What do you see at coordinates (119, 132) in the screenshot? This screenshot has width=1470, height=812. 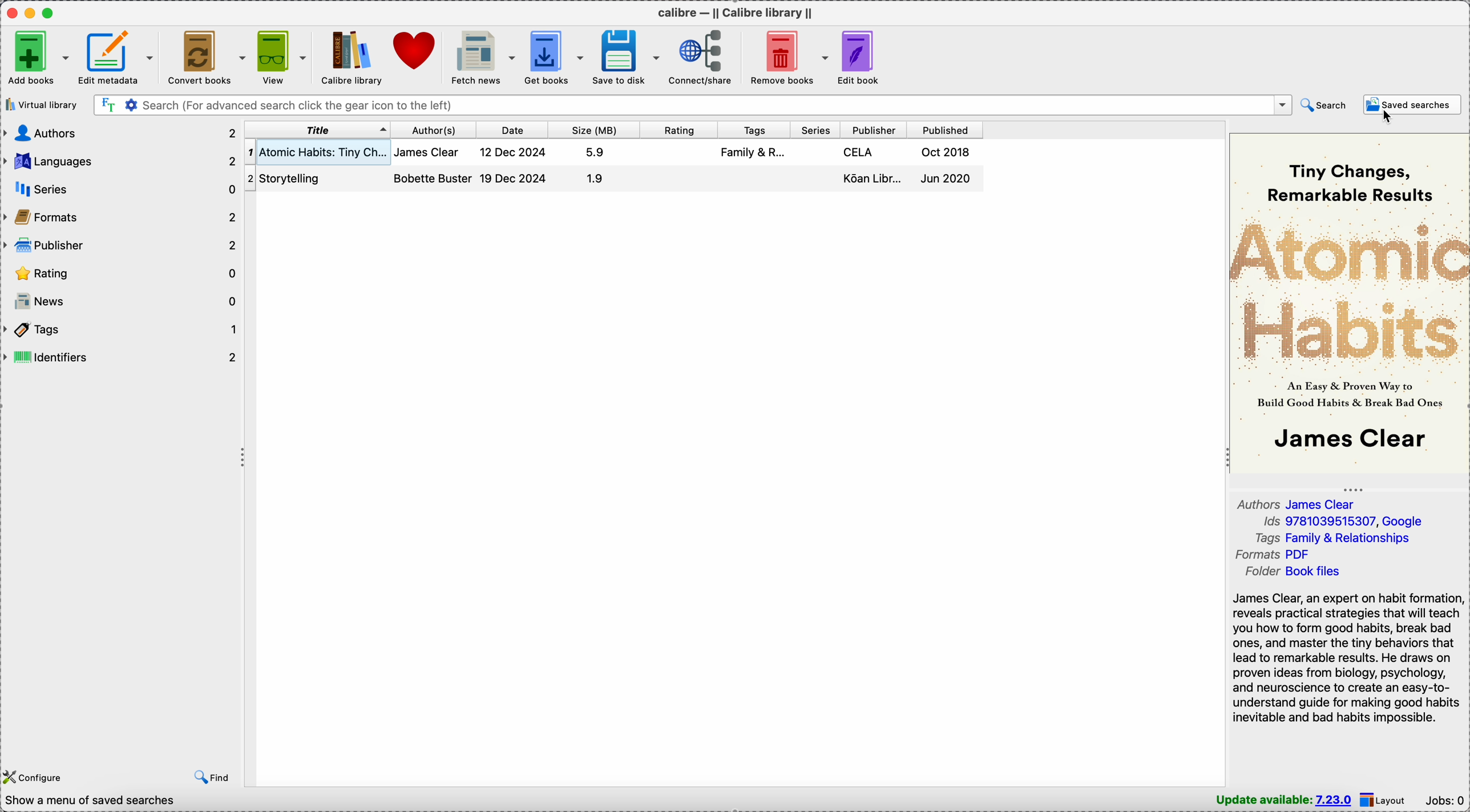 I see `authors` at bounding box center [119, 132].